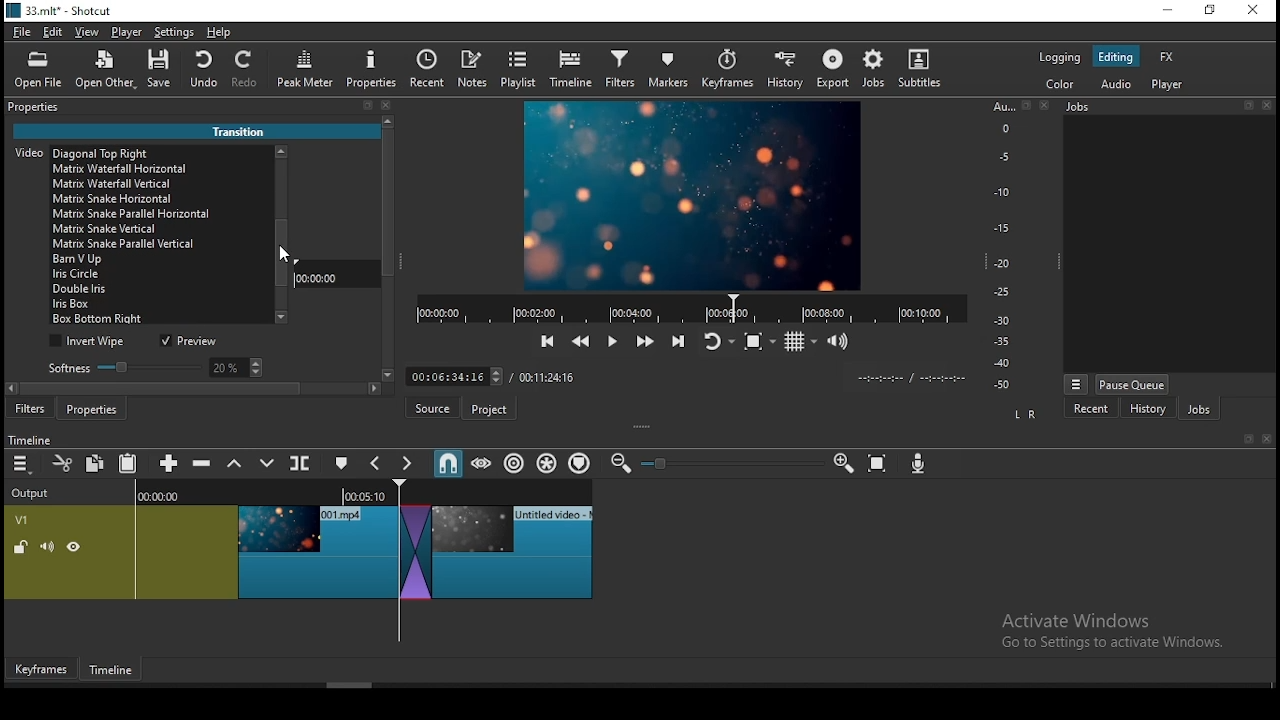 This screenshot has height=720, width=1280. What do you see at coordinates (23, 33) in the screenshot?
I see `file` at bounding box center [23, 33].